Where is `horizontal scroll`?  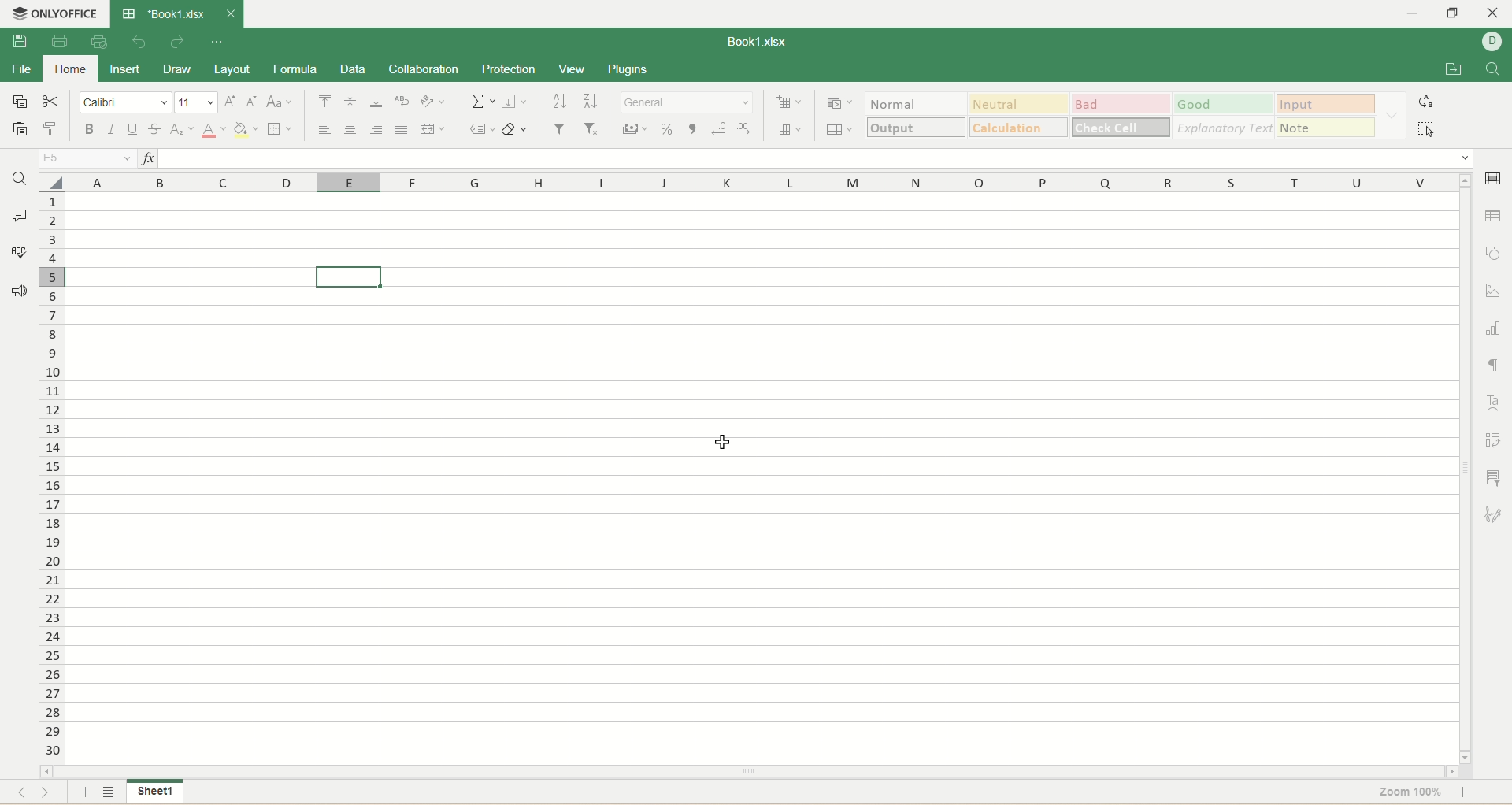 horizontal scroll is located at coordinates (747, 772).